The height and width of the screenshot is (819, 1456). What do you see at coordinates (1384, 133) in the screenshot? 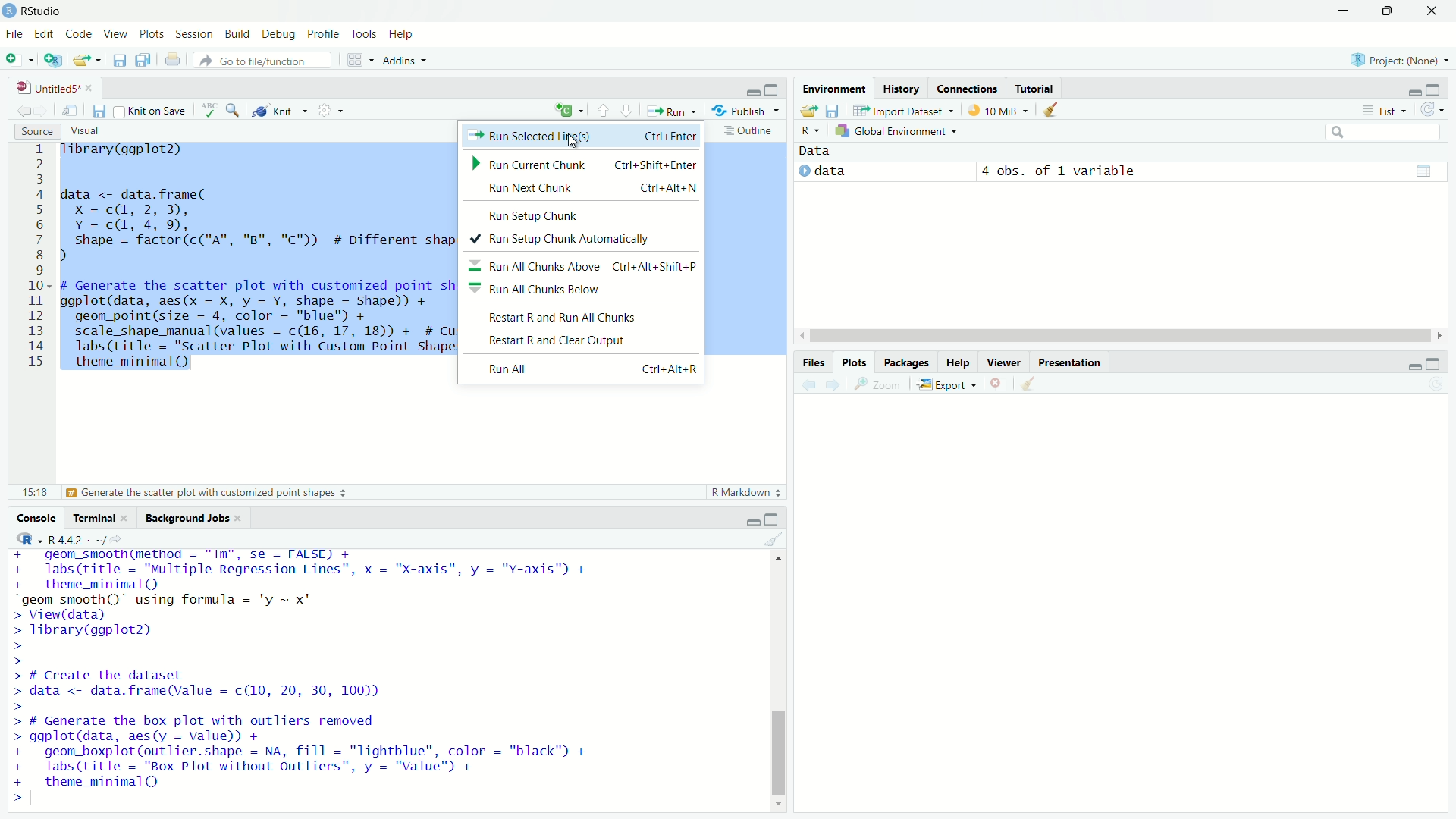
I see `search bar` at bounding box center [1384, 133].